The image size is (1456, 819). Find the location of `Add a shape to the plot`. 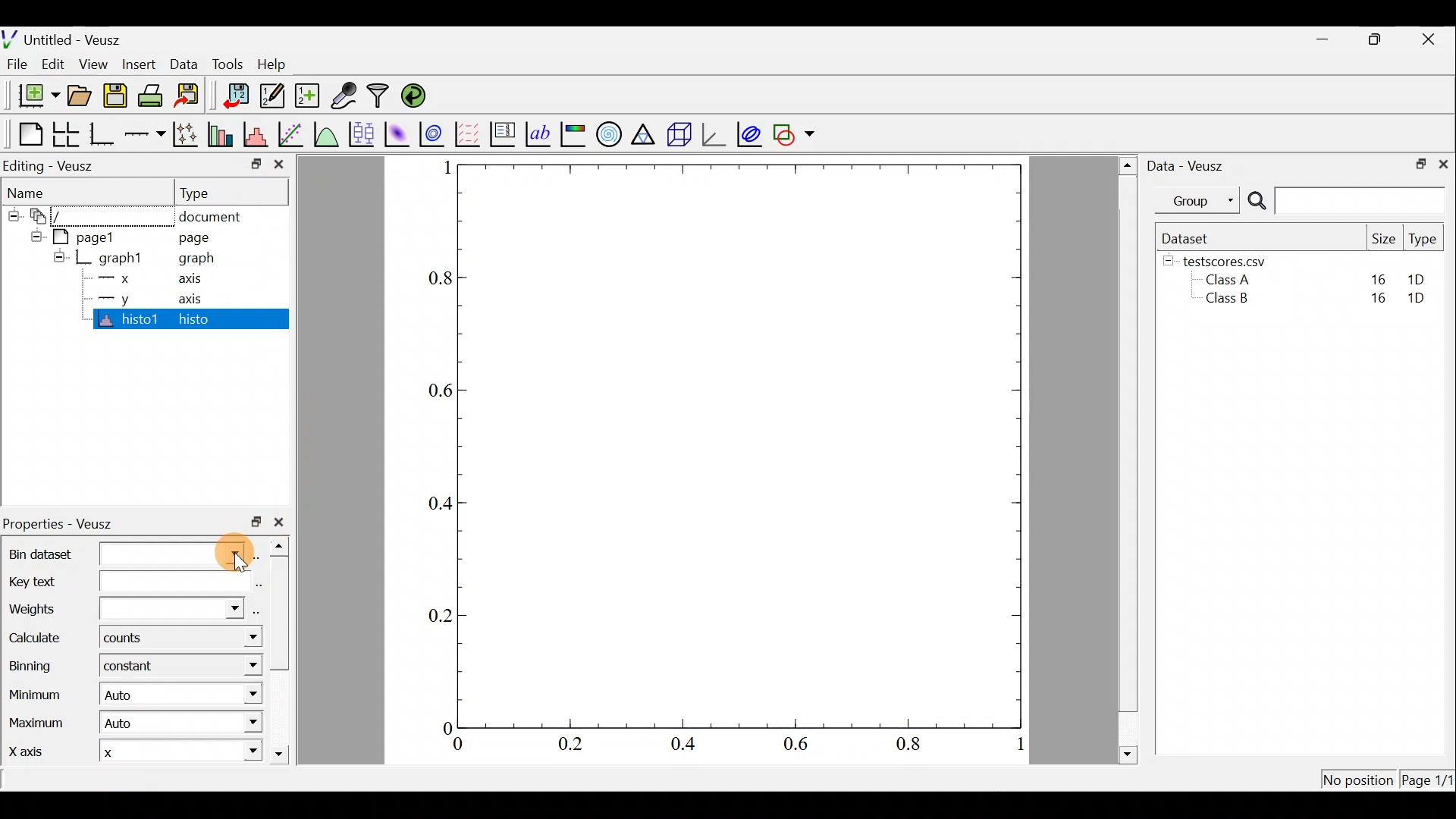

Add a shape to the plot is located at coordinates (797, 134).